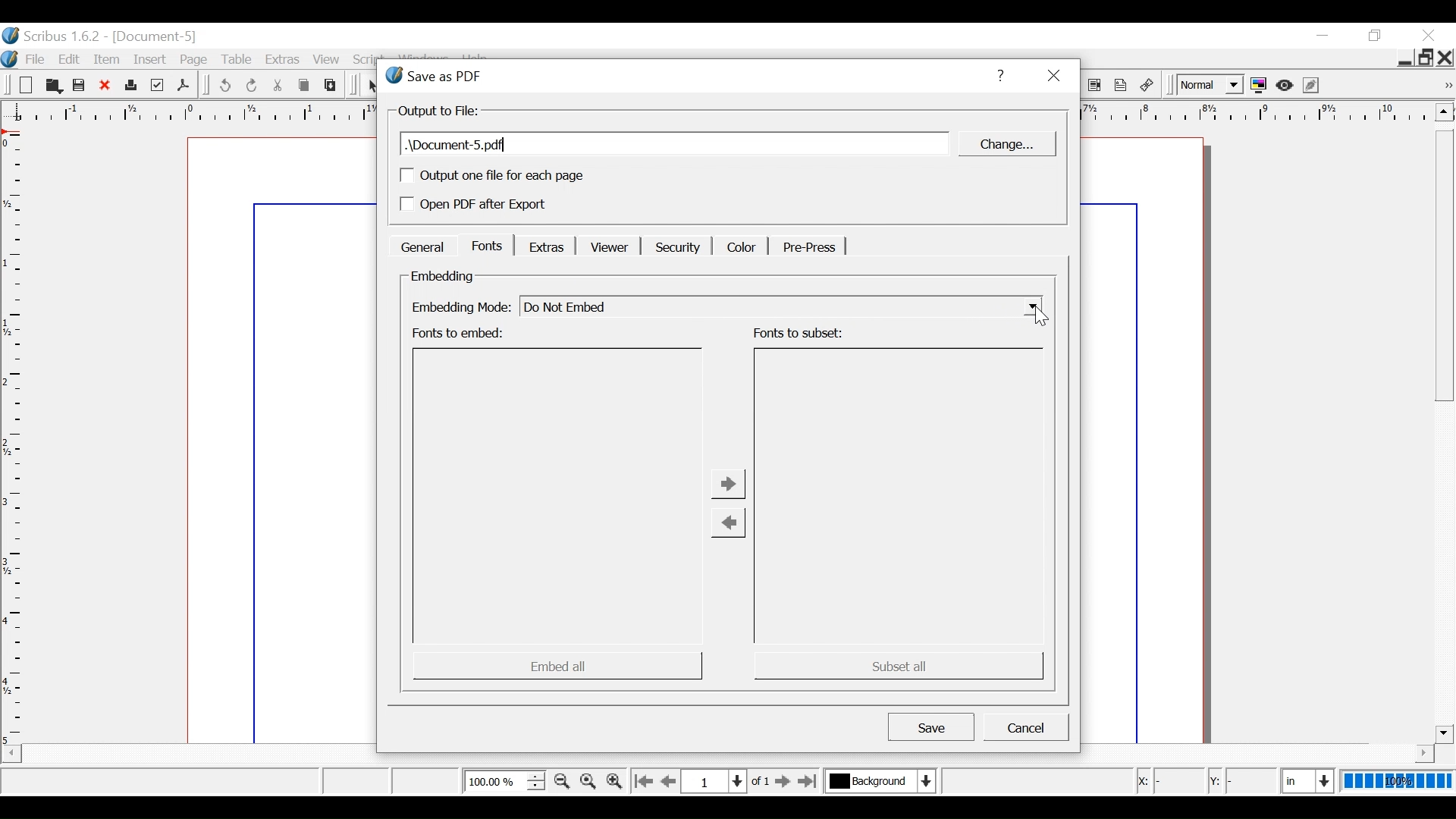 The width and height of the screenshot is (1456, 819). Describe the element at coordinates (798, 333) in the screenshot. I see `Fonts to subset` at that location.